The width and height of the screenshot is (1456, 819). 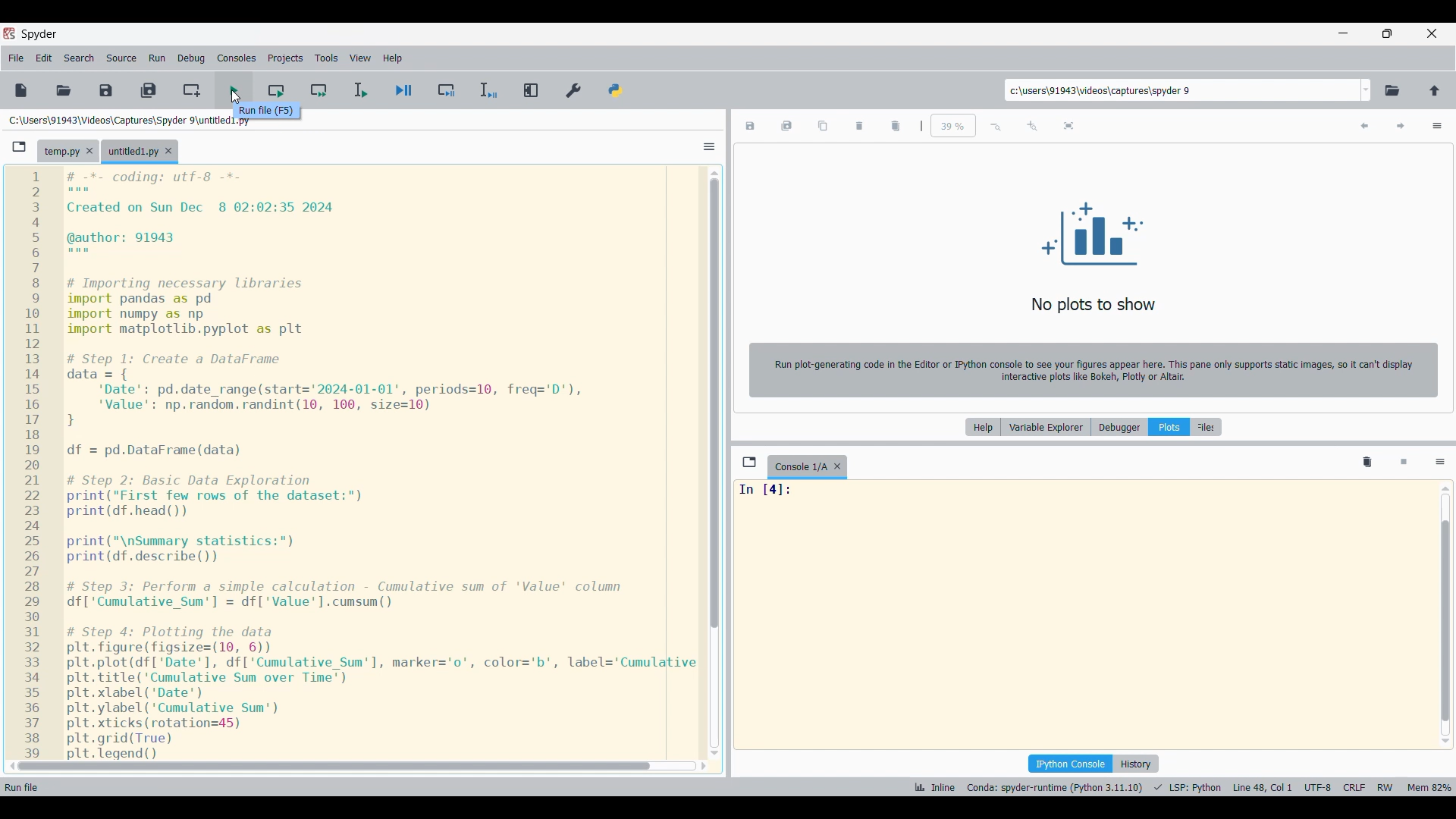 What do you see at coordinates (932, 788) in the screenshot?
I see `inline` at bounding box center [932, 788].